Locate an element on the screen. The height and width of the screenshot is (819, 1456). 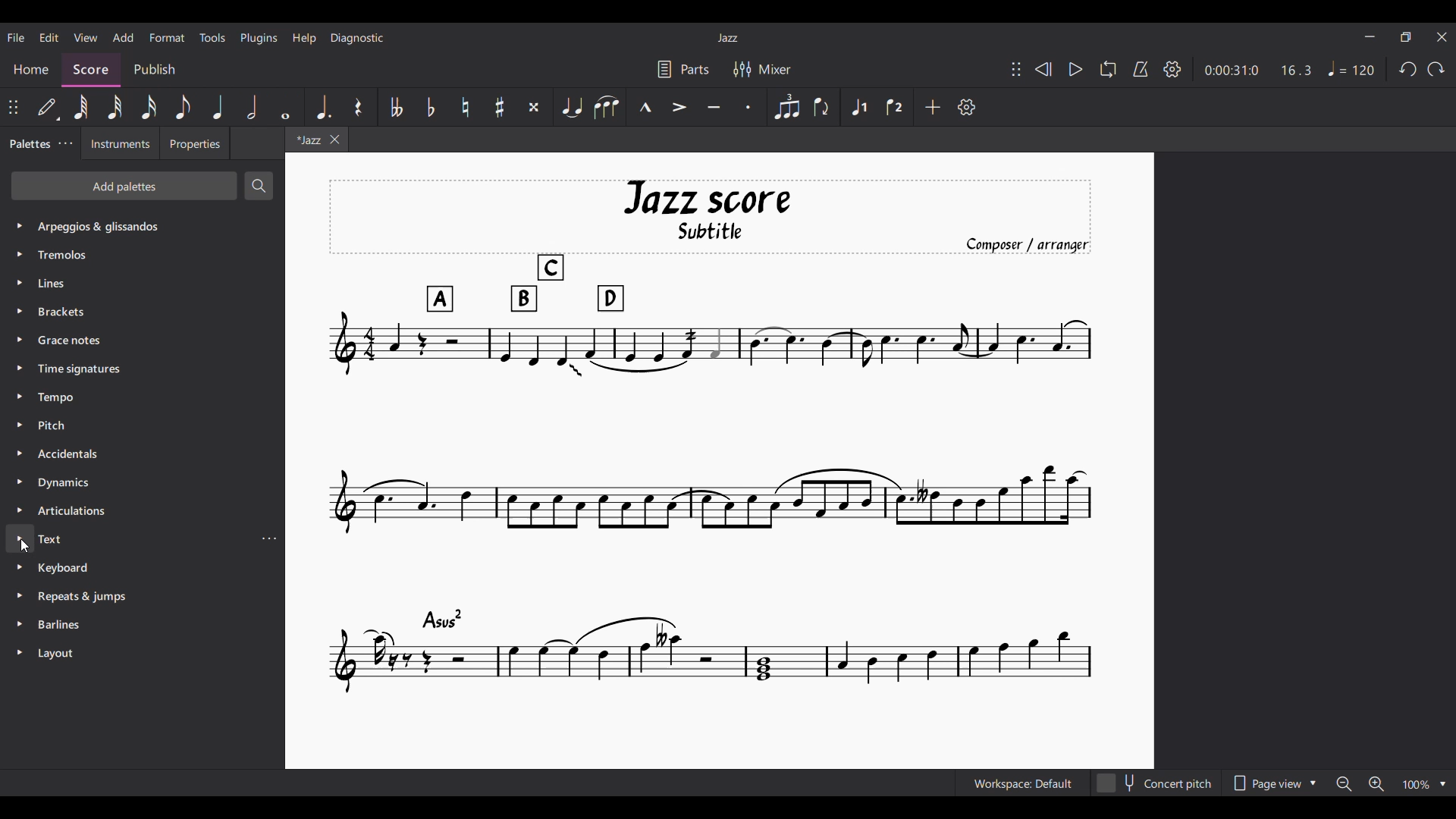
Search is located at coordinates (260, 186).